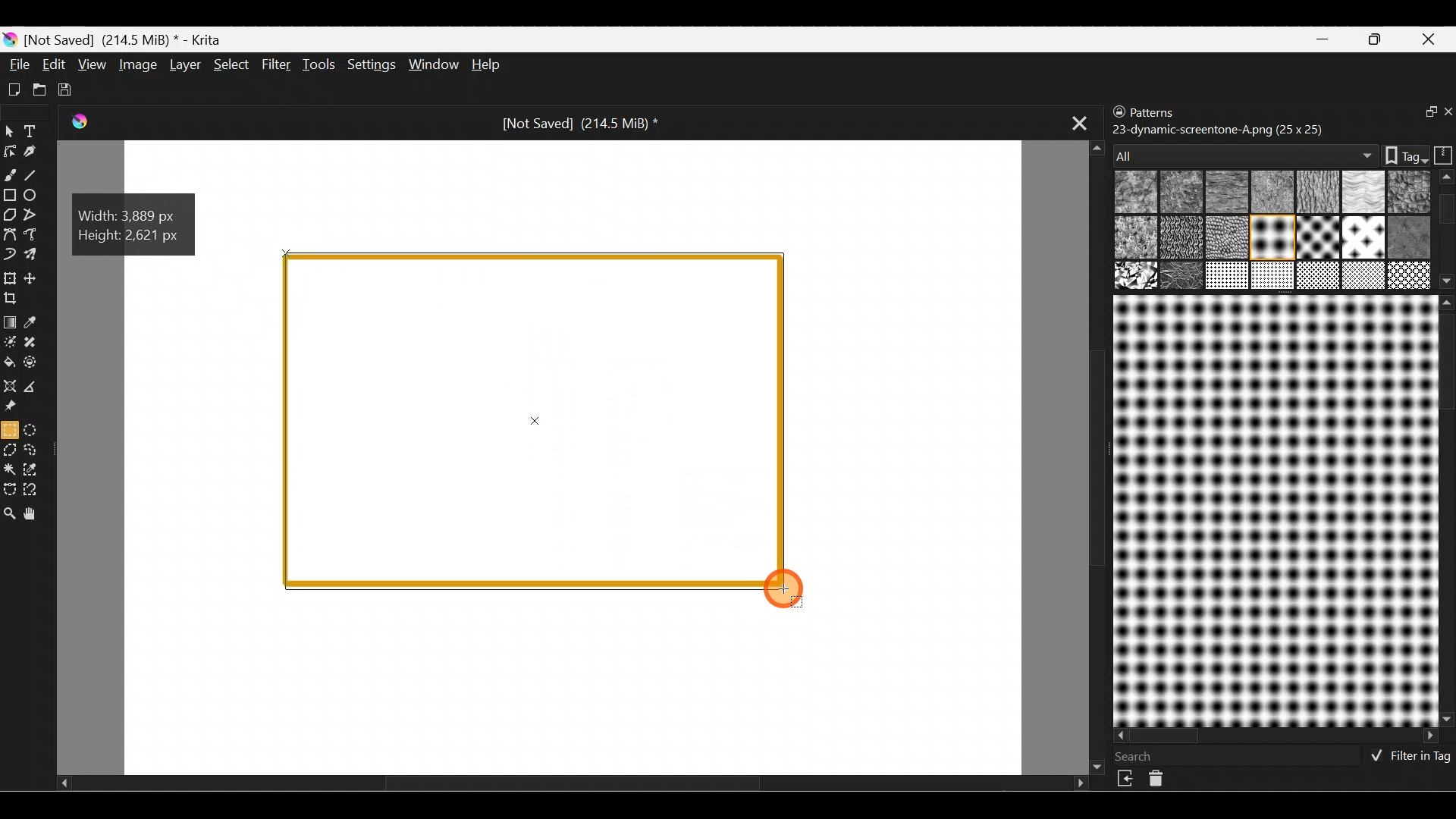 This screenshot has height=819, width=1456. Describe the element at coordinates (9, 236) in the screenshot. I see `Bezier curve tool` at that location.